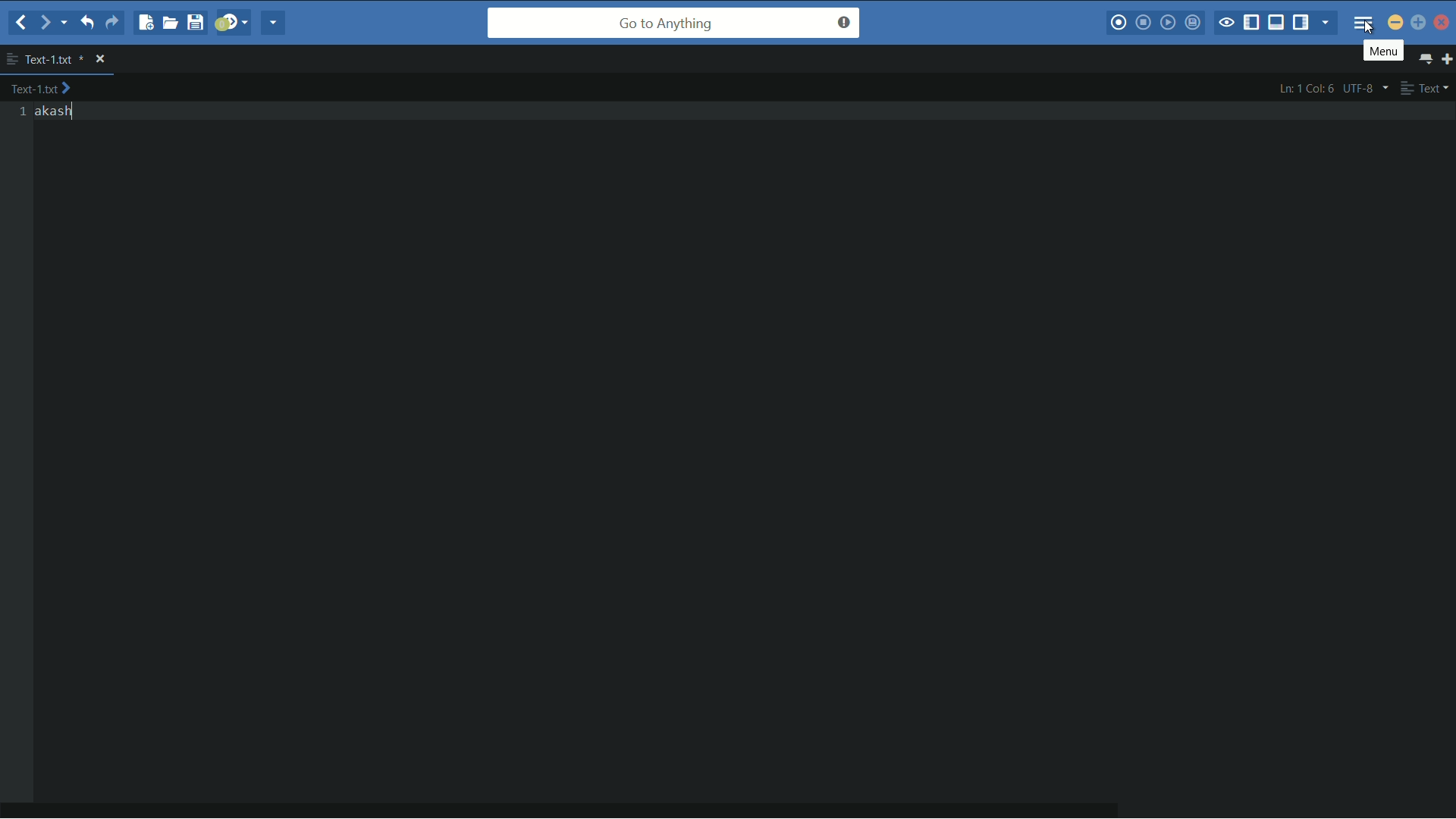 The image size is (1456, 819). What do you see at coordinates (51, 60) in the screenshot?
I see `file name` at bounding box center [51, 60].